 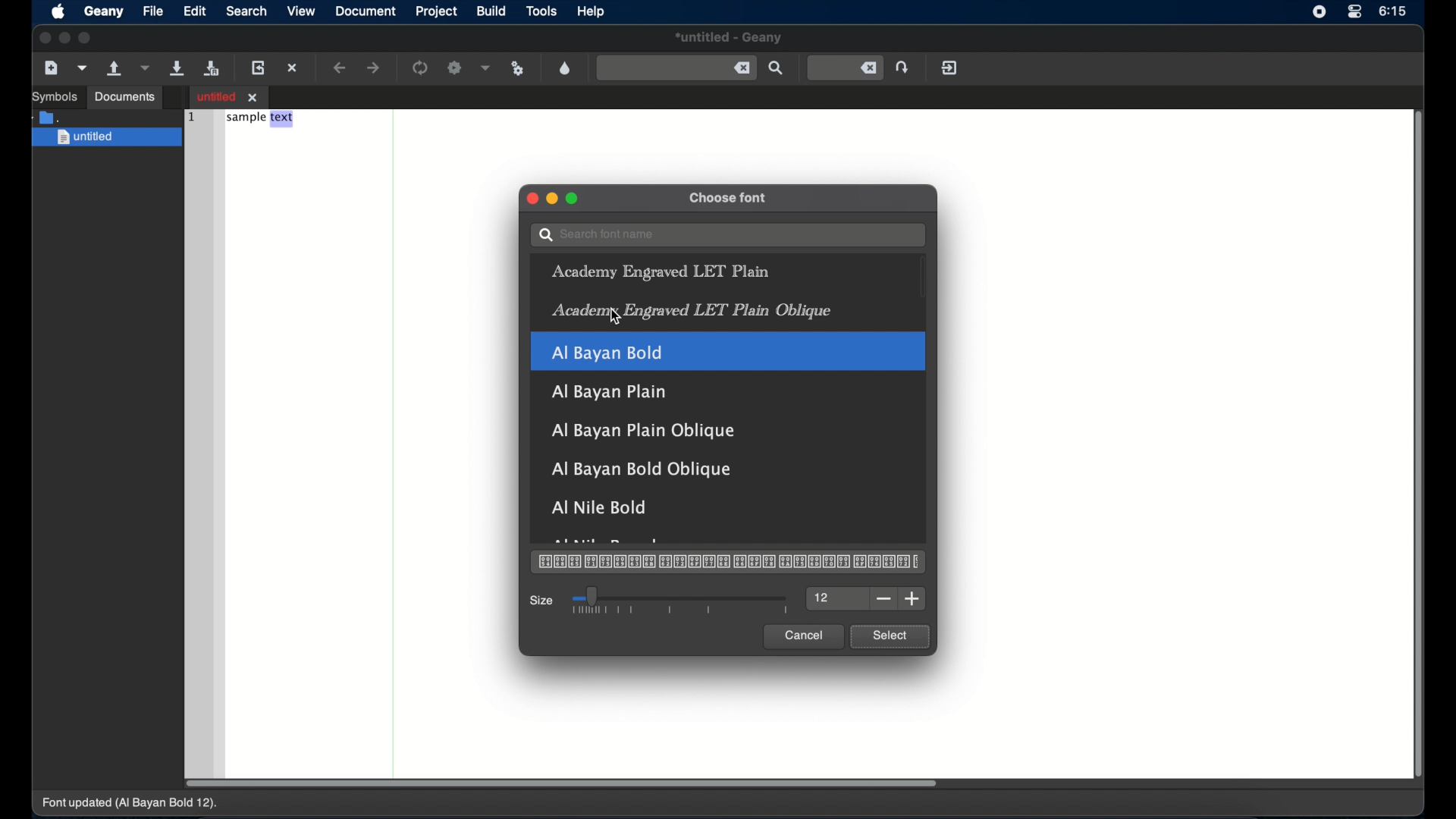 I want to click on slider, so click(x=680, y=601).